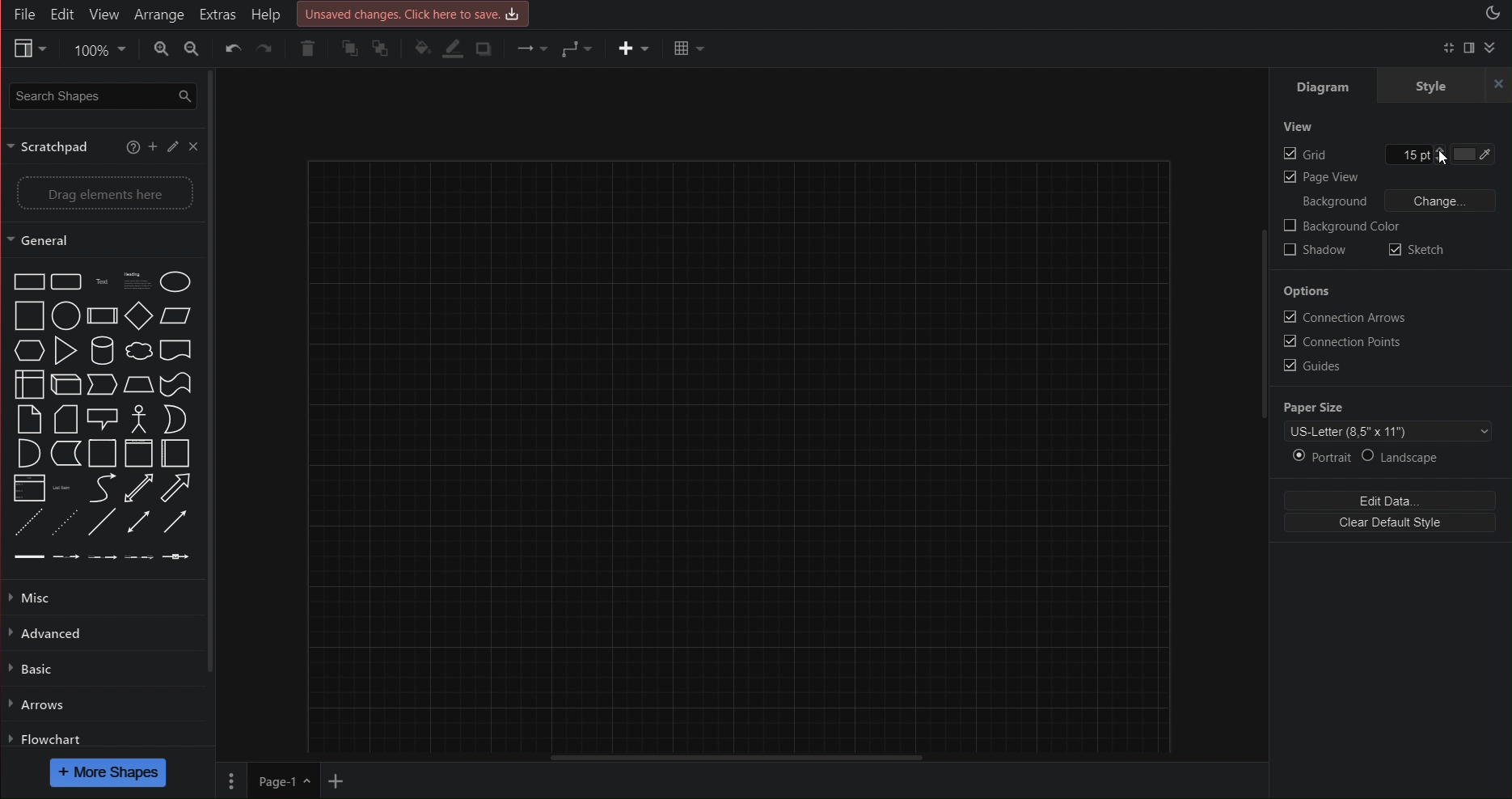 This screenshot has width=1512, height=799. I want to click on screen, so click(101, 412).